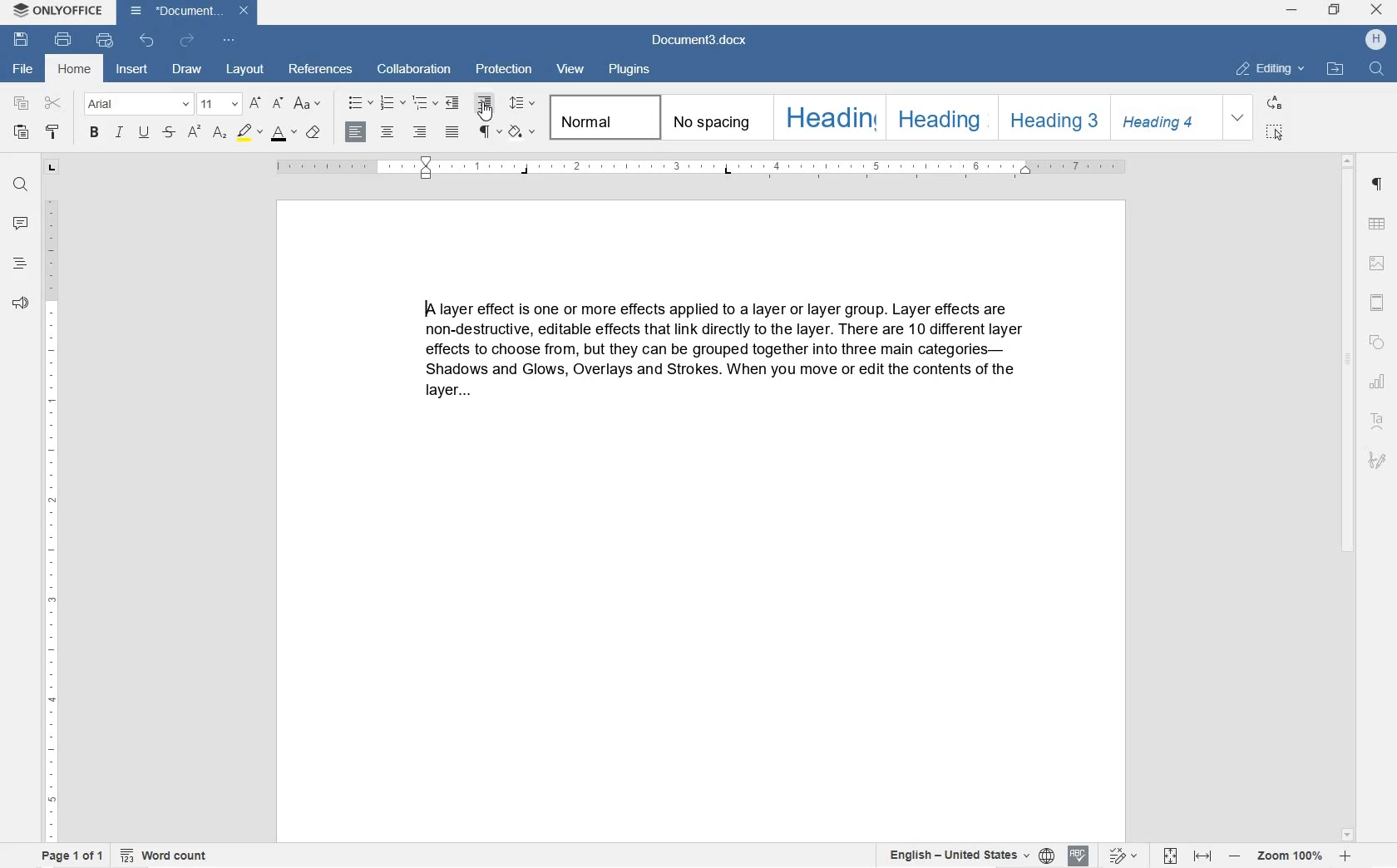 Image resolution: width=1397 pixels, height=868 pixels. Describe the element at coordinates (356, 133) in the screenshot. I see `LEFT ALIGNMENT` at that location.